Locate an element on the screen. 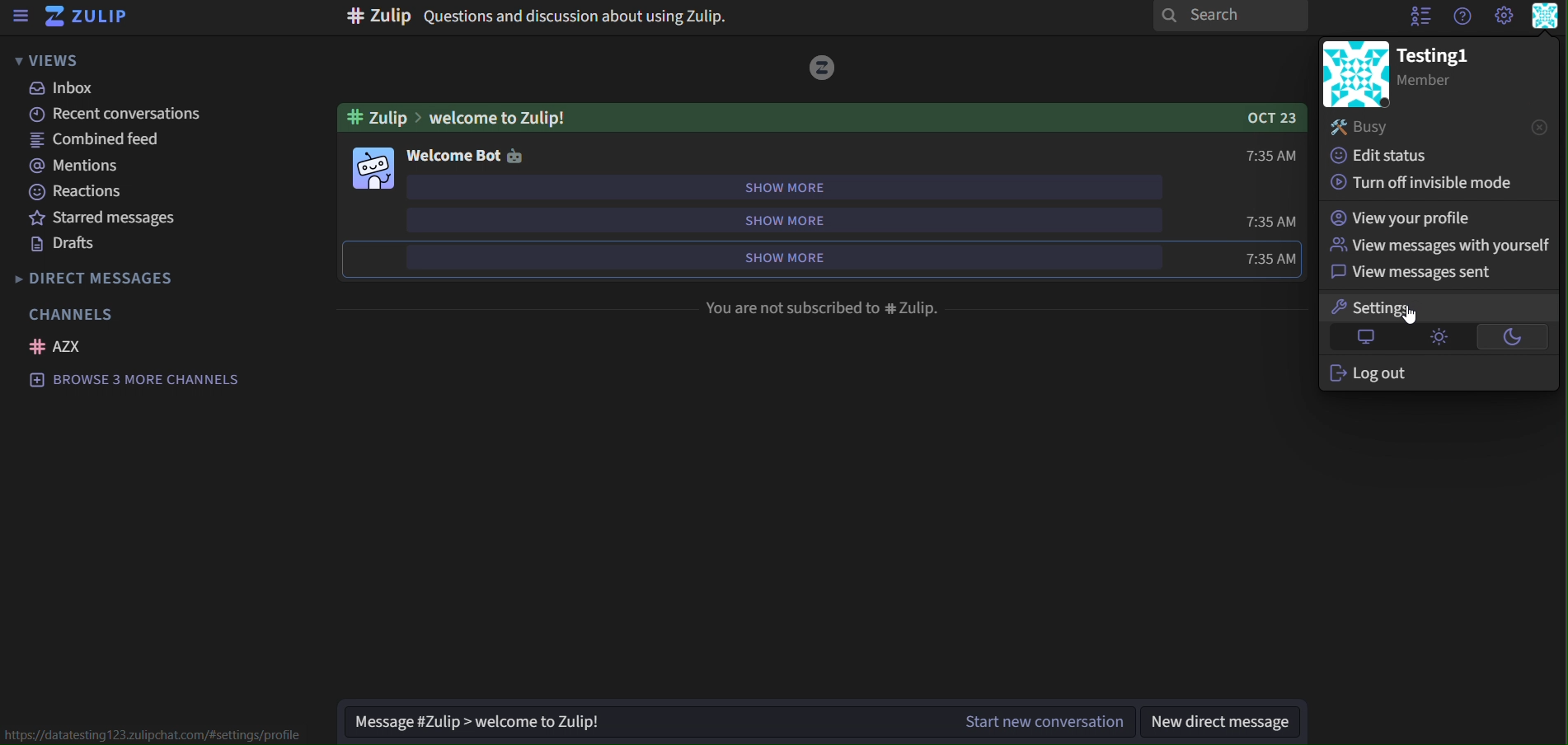  You are not Subscribed to # Zulip. is located at coordinates (820, 309).